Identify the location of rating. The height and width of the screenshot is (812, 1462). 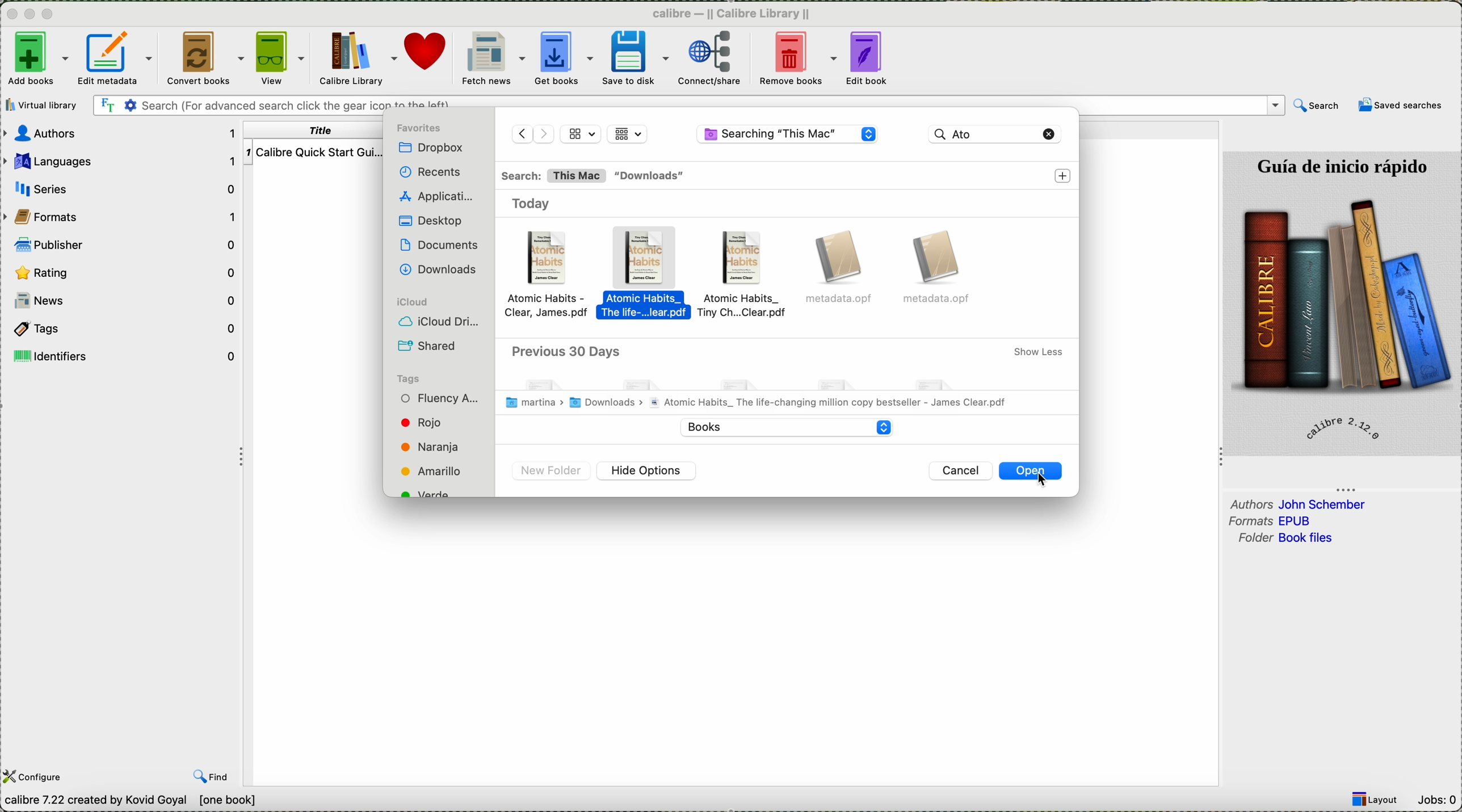
(123, 274).